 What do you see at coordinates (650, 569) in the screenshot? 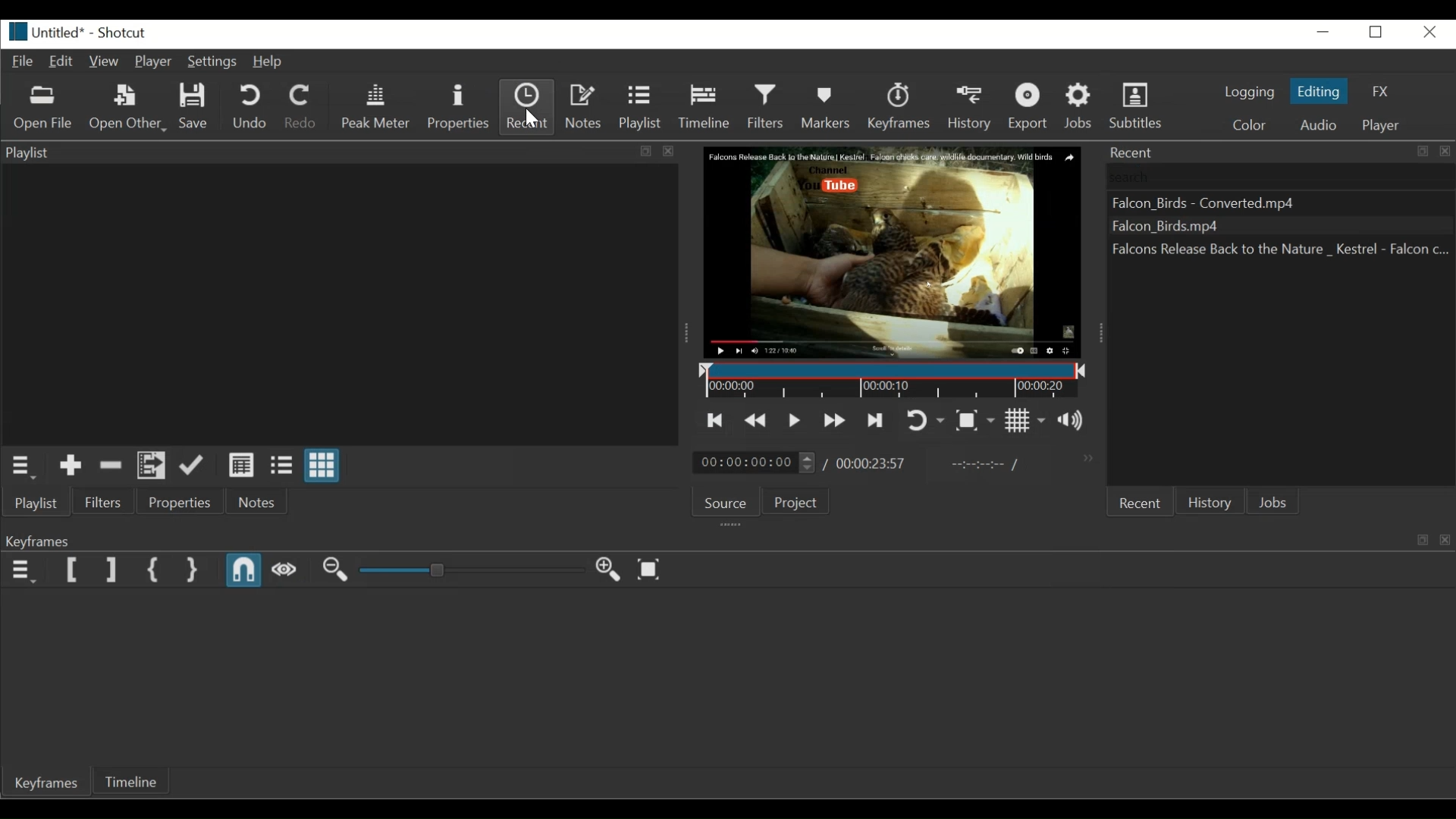
I see `Zoom timeline to fit` at bounding box center [650, 569].